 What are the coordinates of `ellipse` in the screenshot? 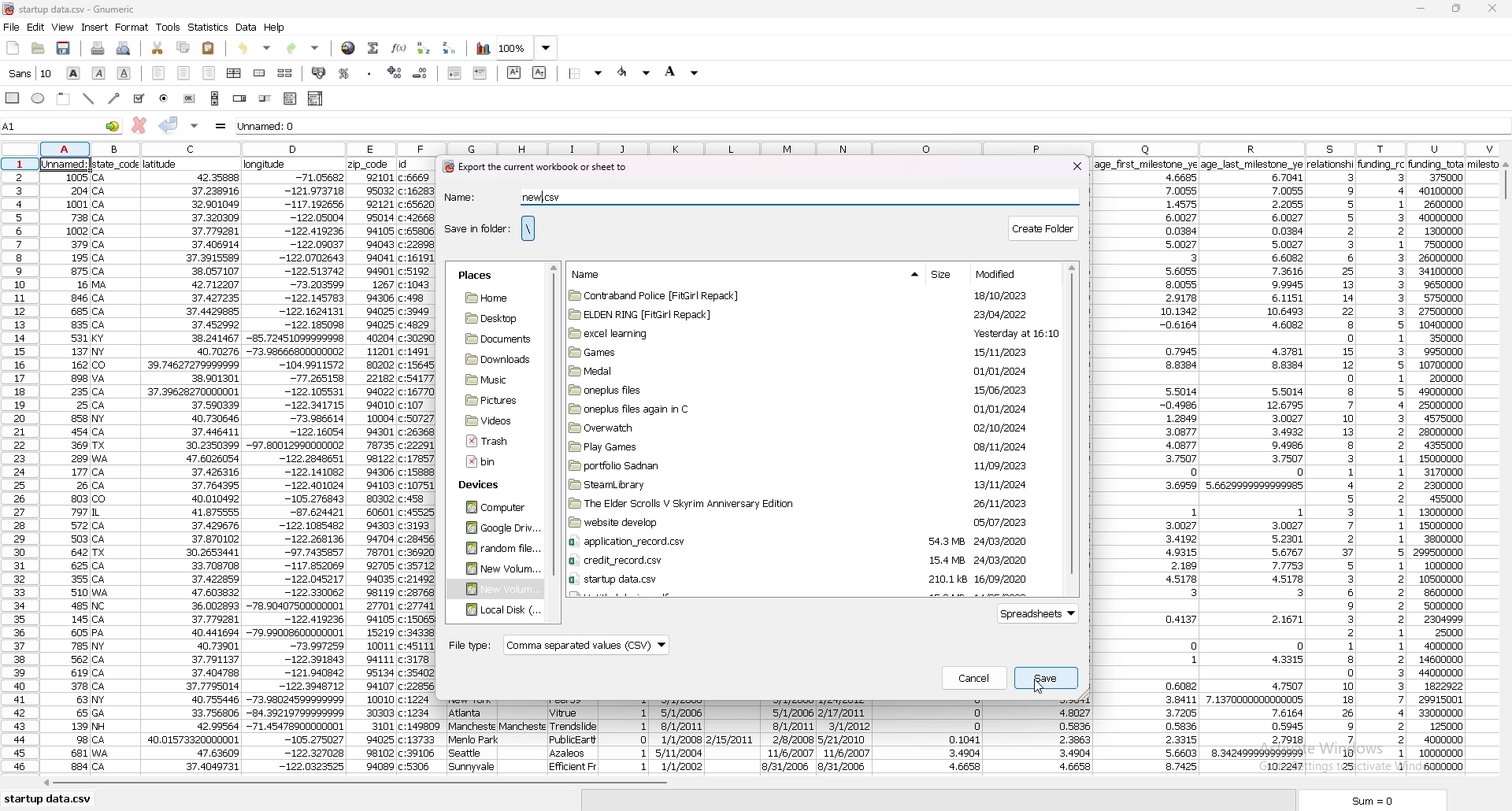 It's located at (39, 99).